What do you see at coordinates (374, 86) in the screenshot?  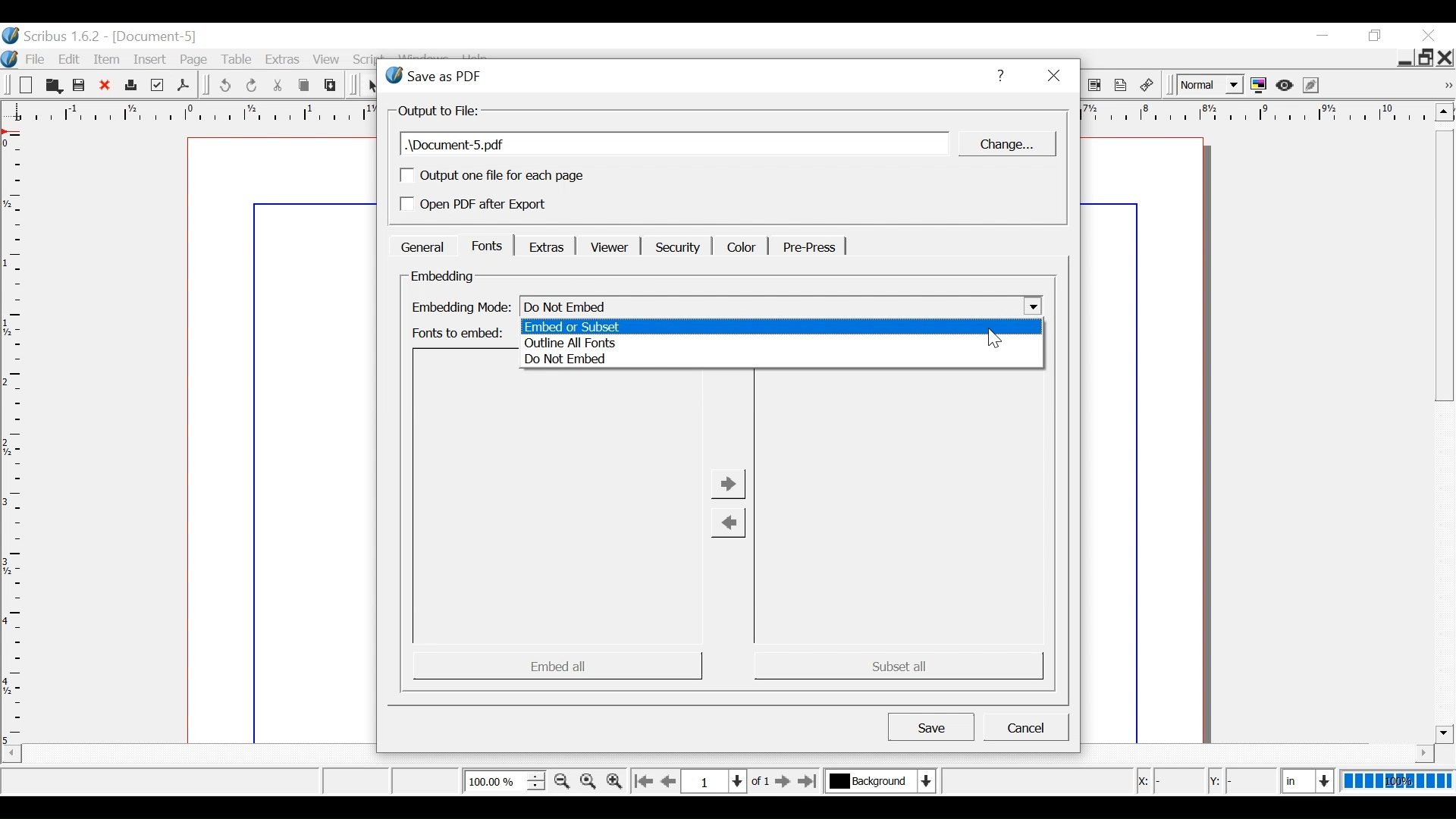 I see `Select` at bounding box center [374, 86].